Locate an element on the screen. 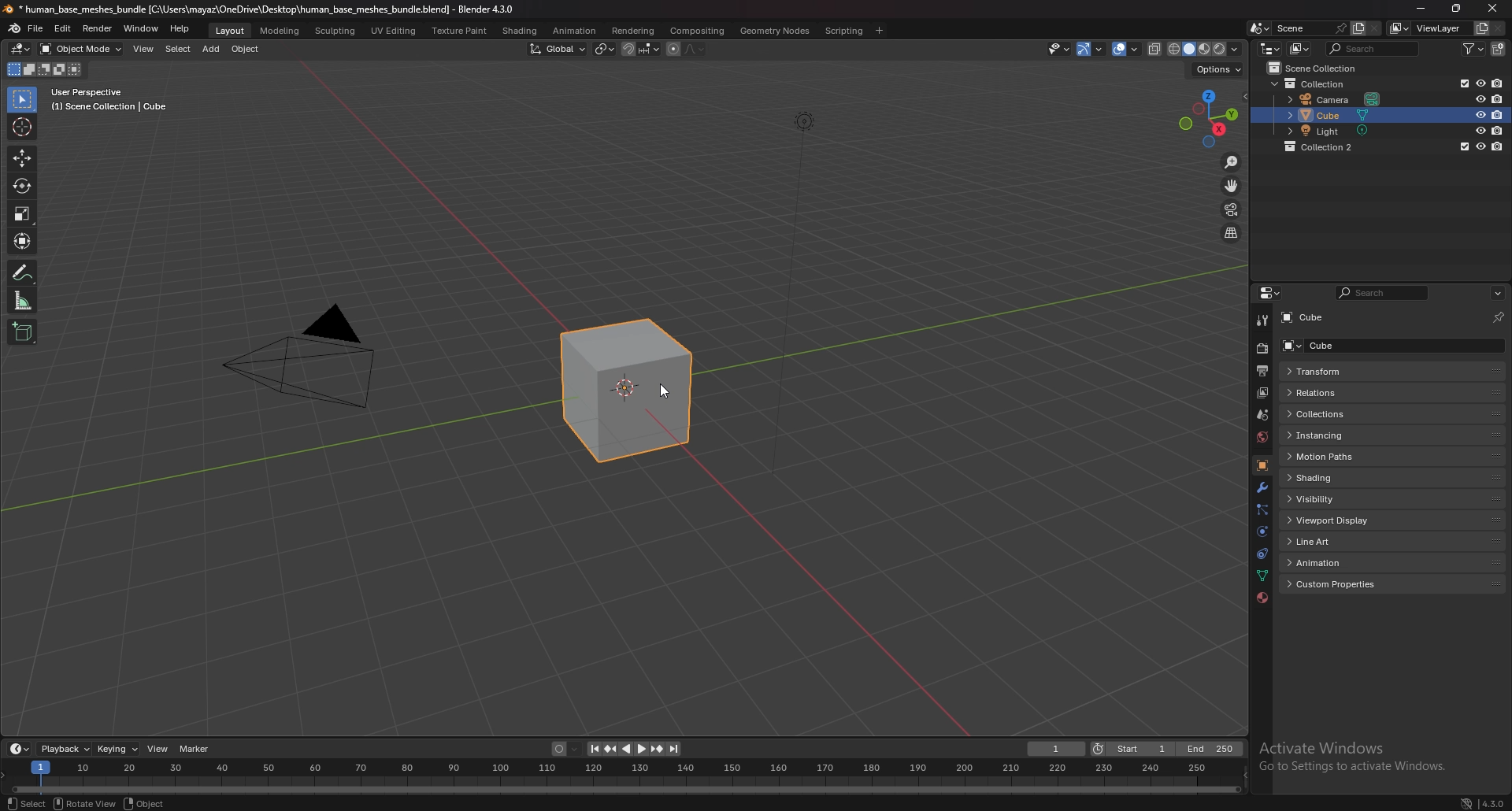  jump to keyframe is located at coordinates (610, 749).